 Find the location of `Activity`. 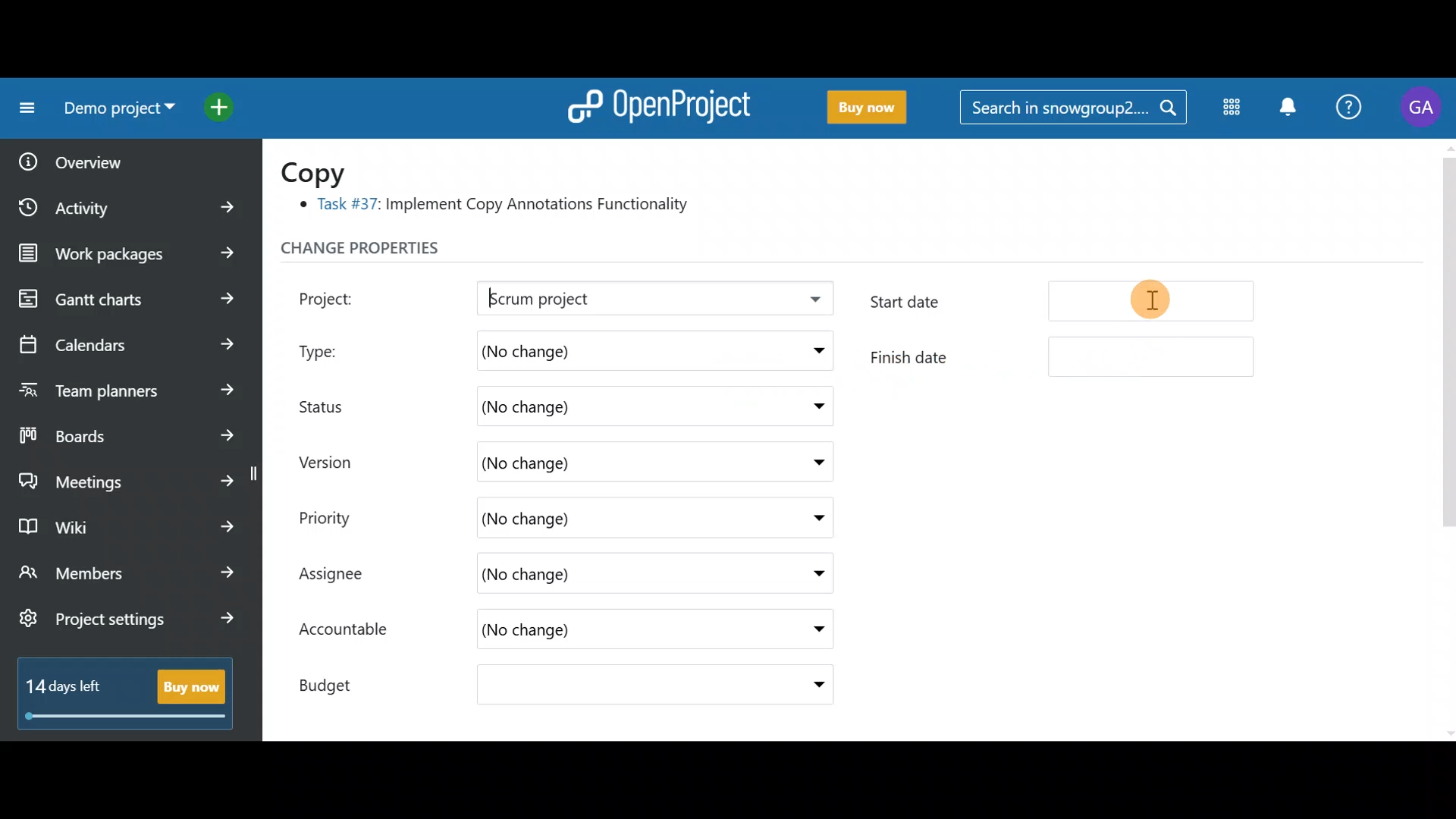

Activity is located at coordinates (131, 202).